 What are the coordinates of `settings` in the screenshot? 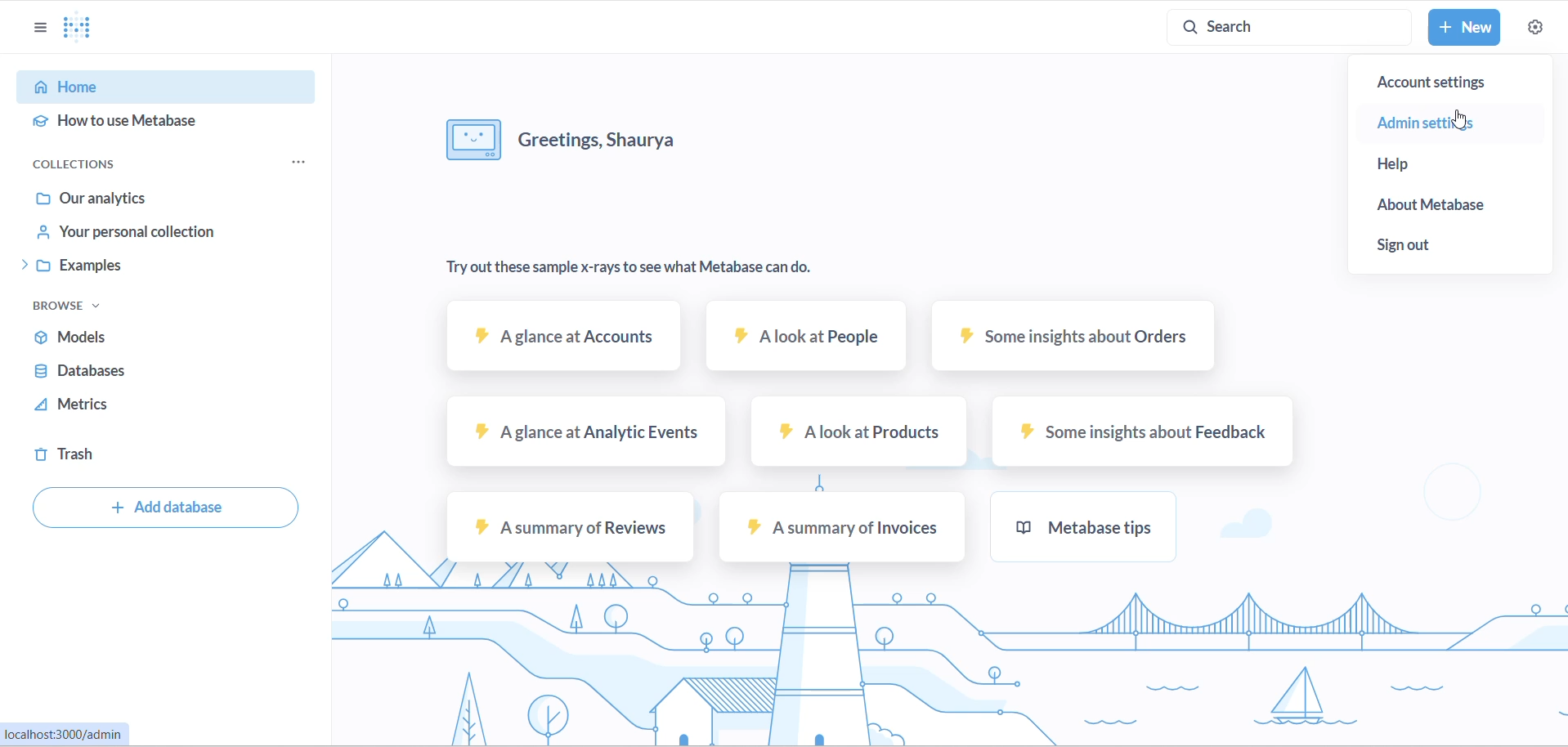 It's located at (1534, 27).